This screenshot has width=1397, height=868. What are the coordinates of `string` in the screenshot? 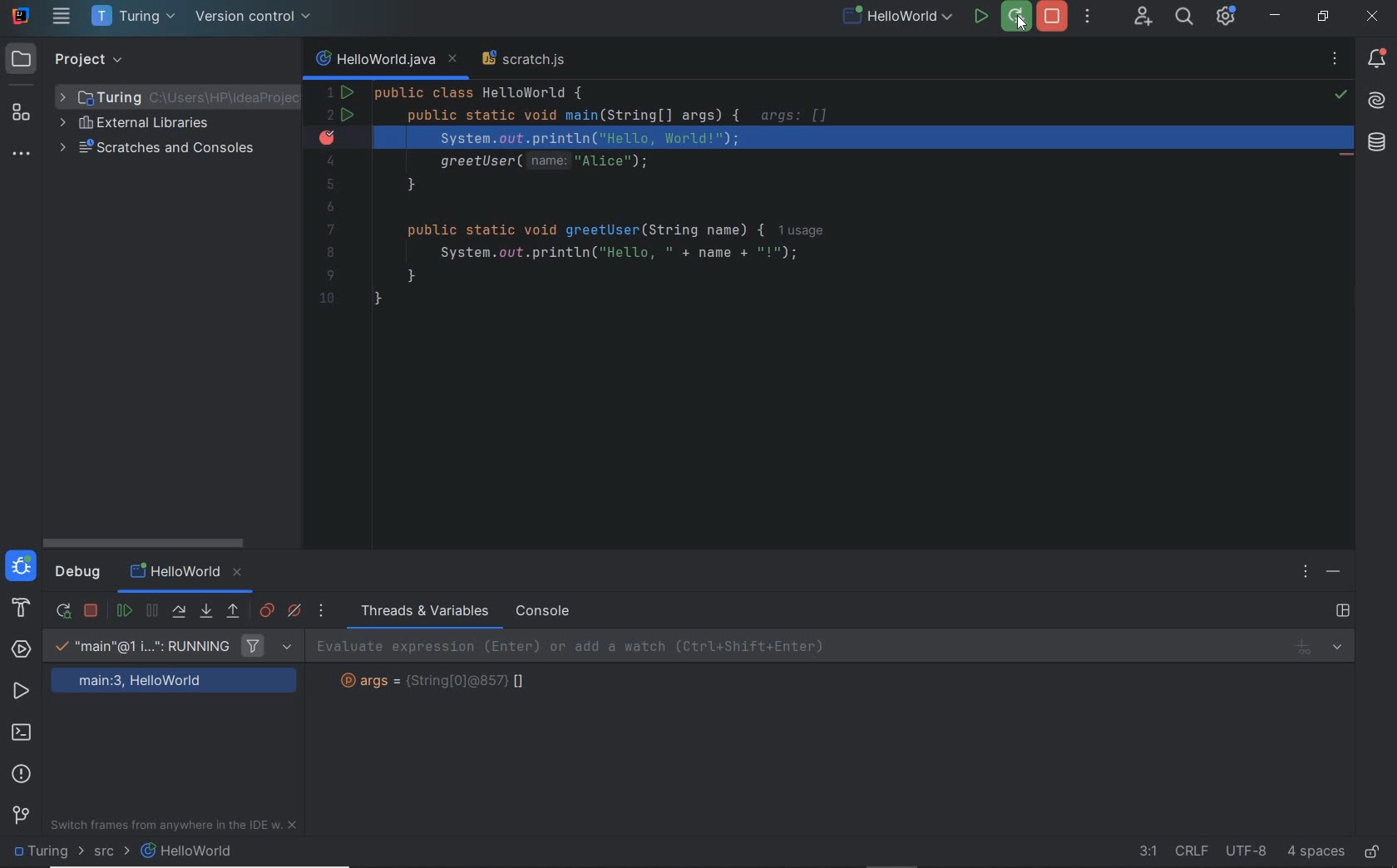 It's located at (442, 682).